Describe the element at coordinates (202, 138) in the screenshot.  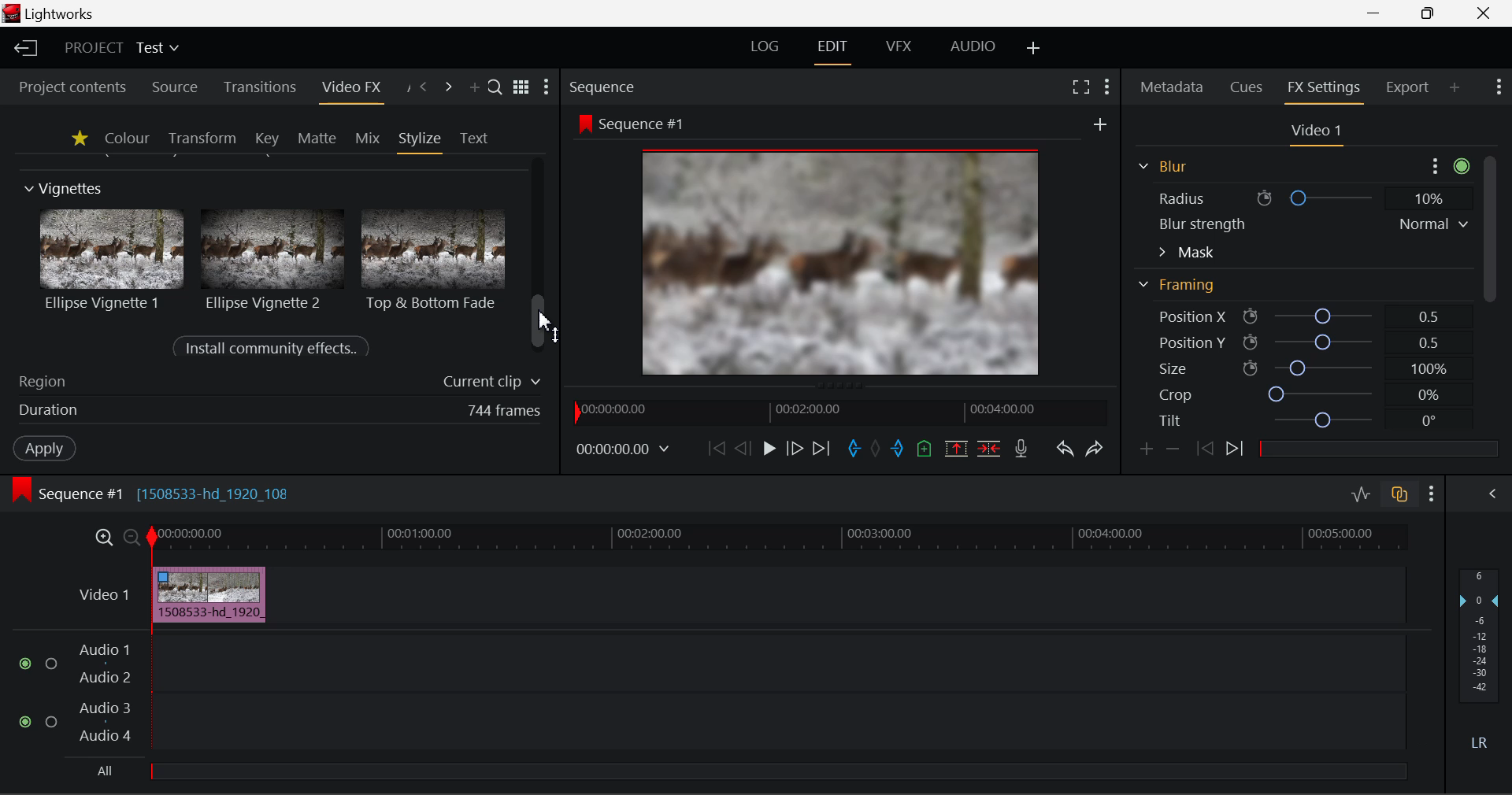
I see `Transform` at that location.